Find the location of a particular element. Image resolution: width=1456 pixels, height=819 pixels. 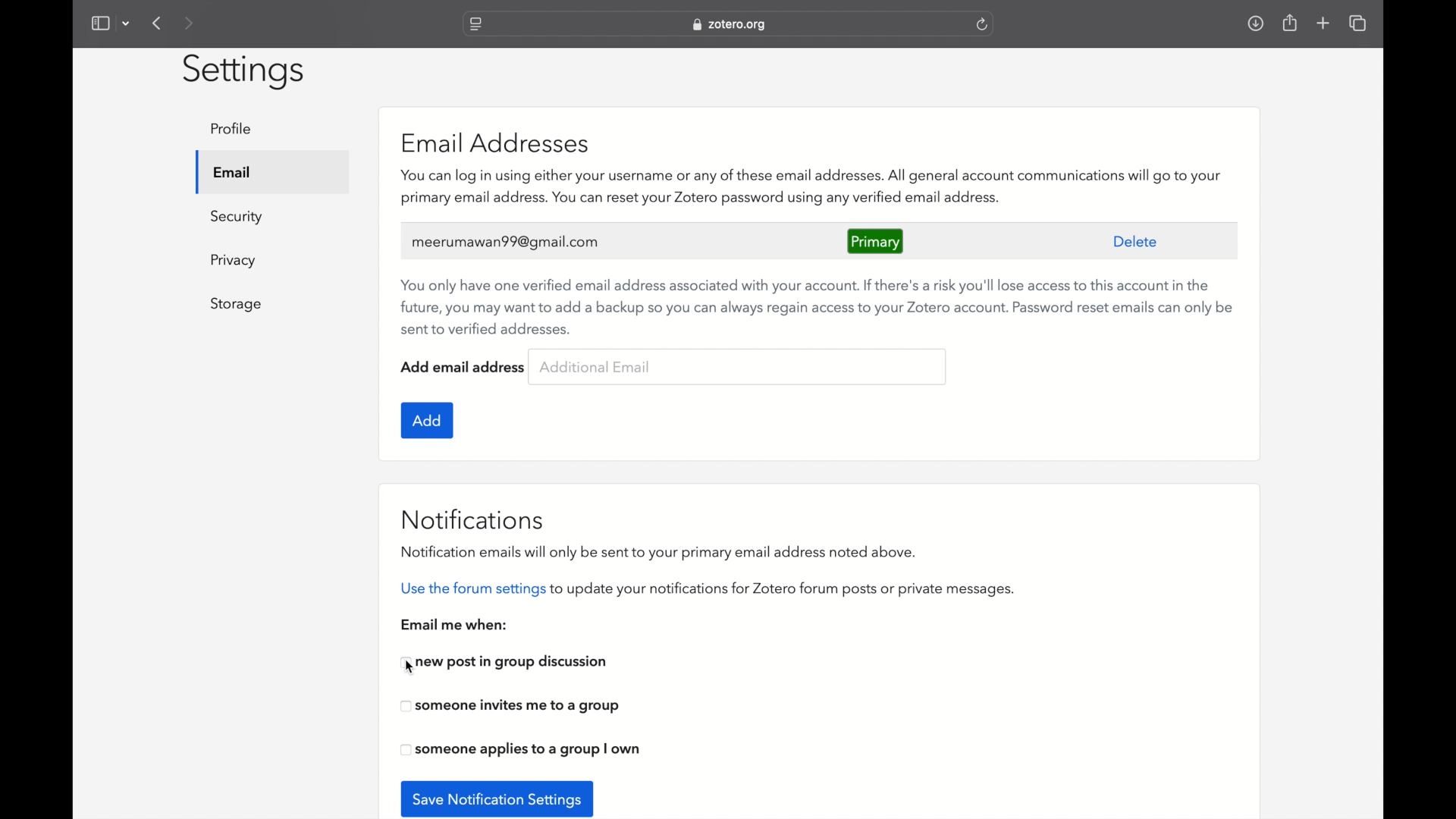

someone invites me to a group is located at coordinates (511, 707).